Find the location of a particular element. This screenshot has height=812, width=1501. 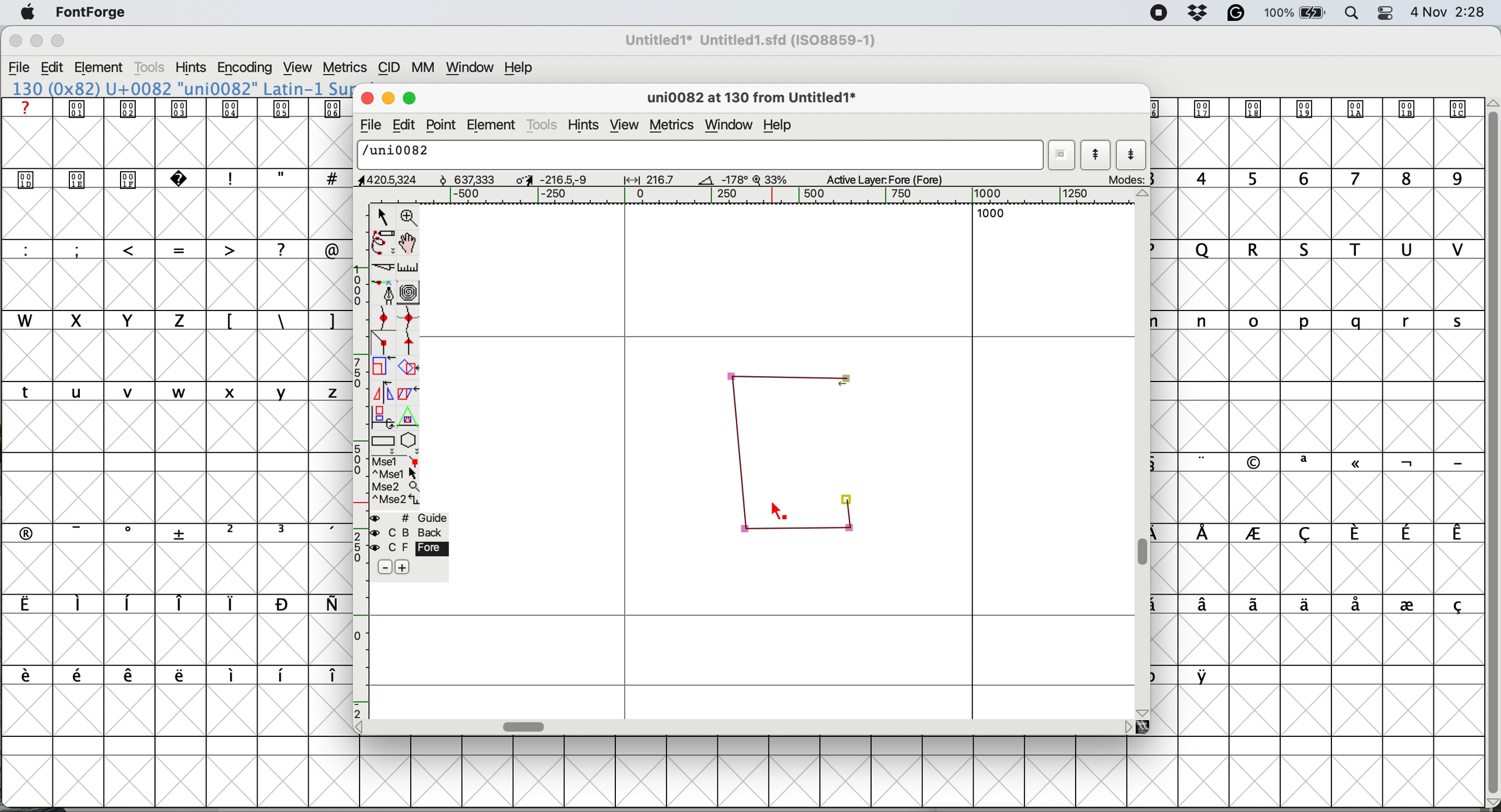

change whether spiro is active or not is located at coordinates (410, 292).